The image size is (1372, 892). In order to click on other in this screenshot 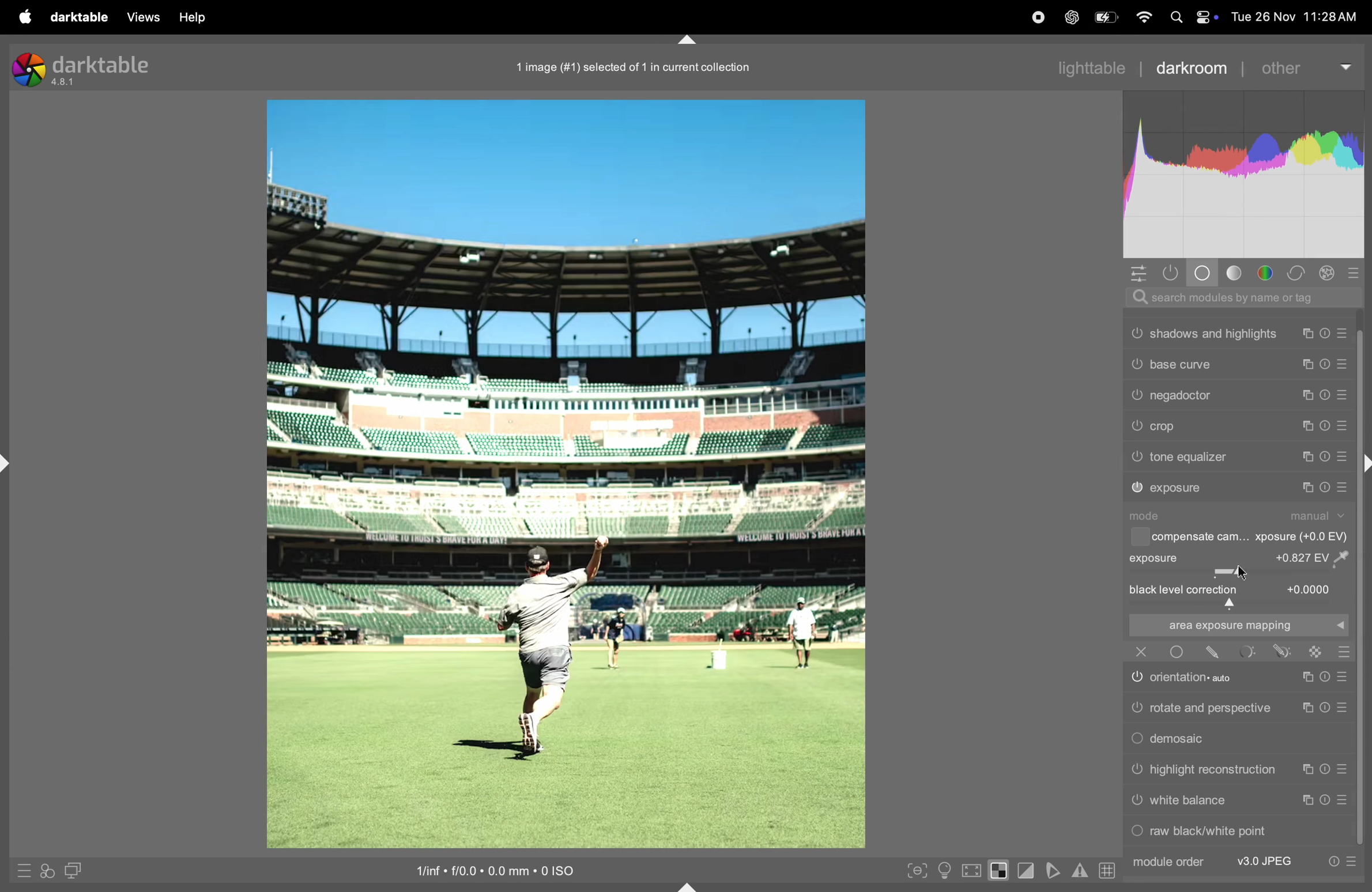, I will do `click(1298, 68)`.